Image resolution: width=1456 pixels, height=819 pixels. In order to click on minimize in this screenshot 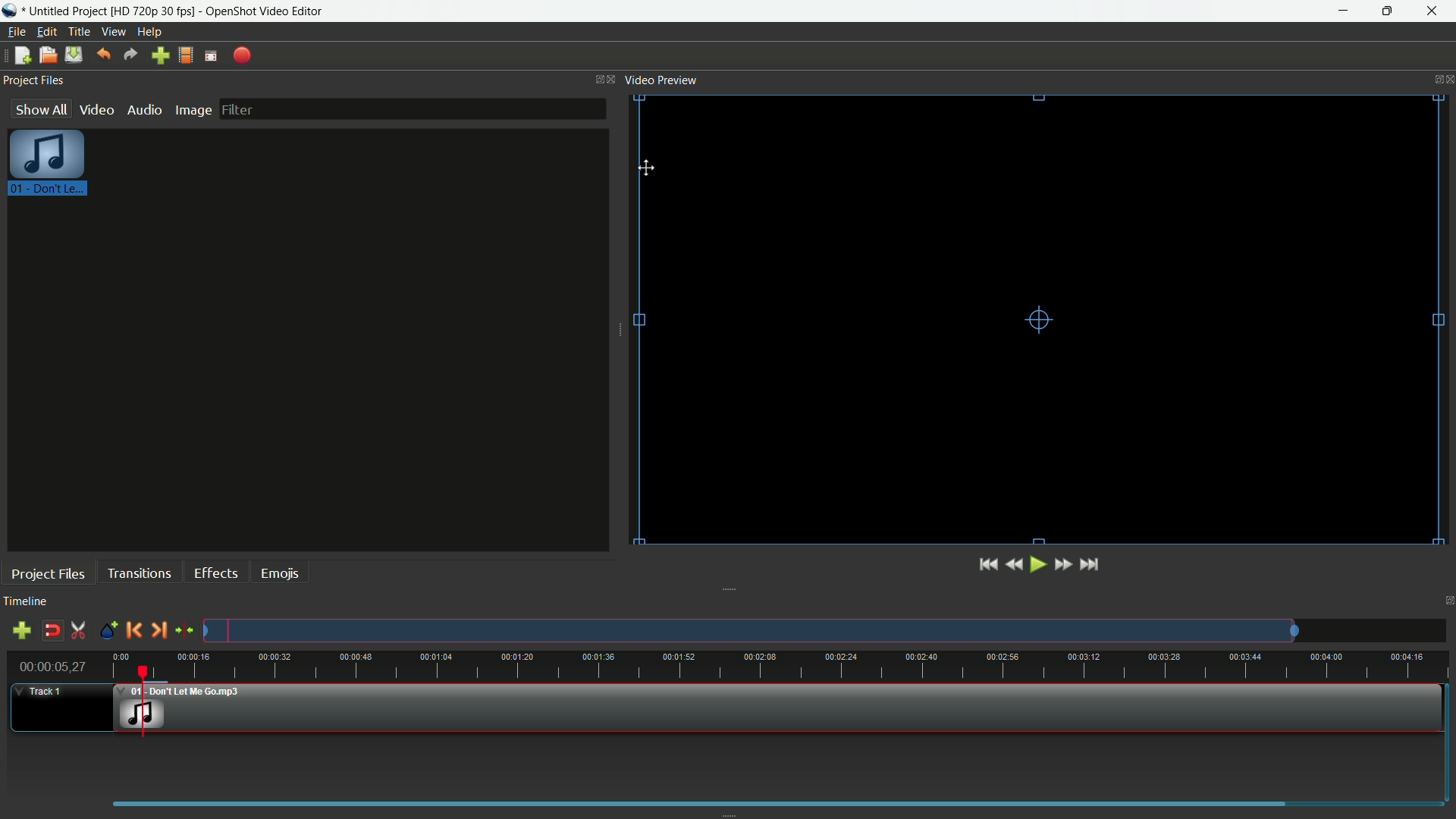, I will do `click(1345, 11)`.